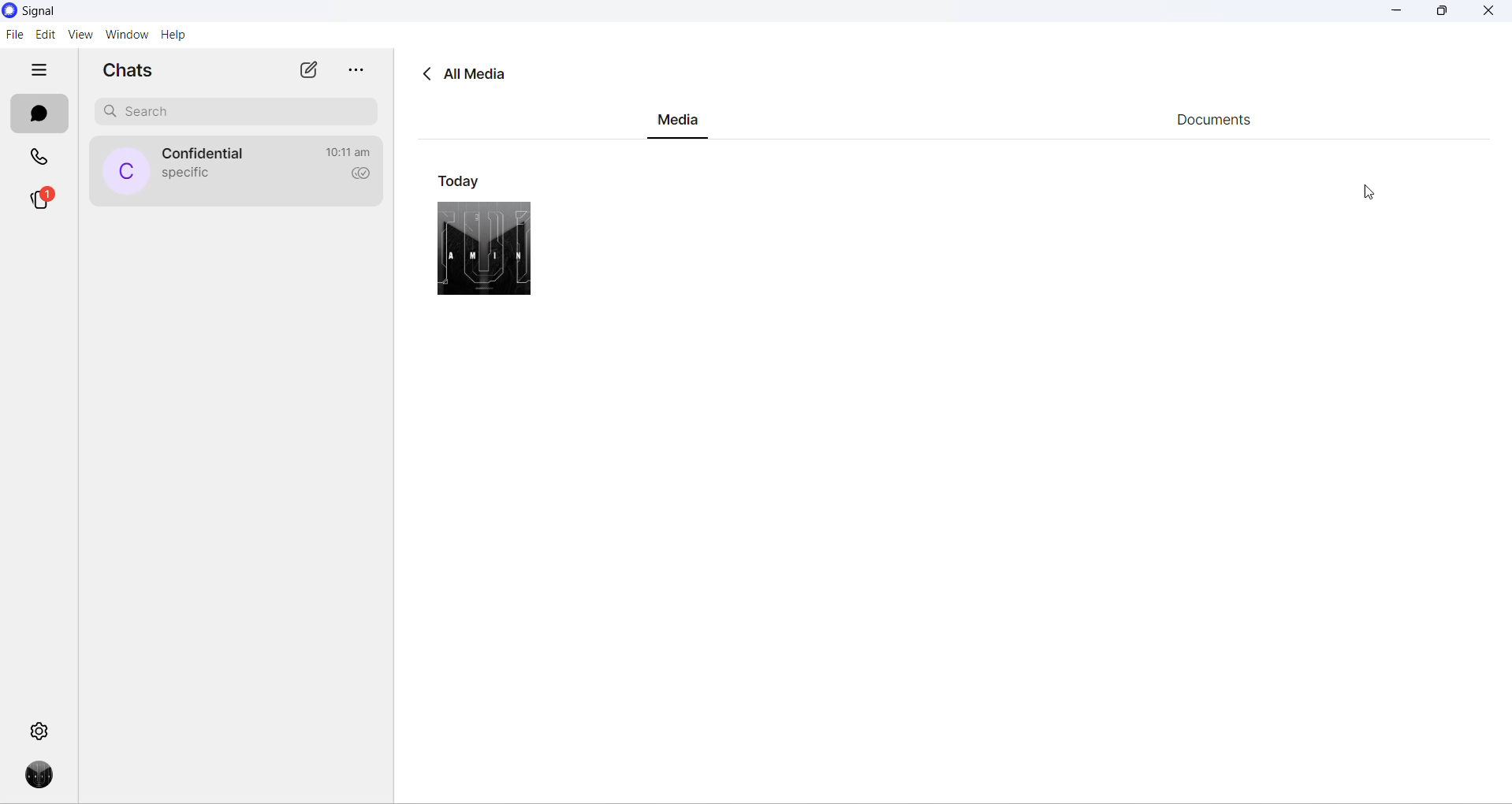  I want to click on application name and logo, so click(47, 12).